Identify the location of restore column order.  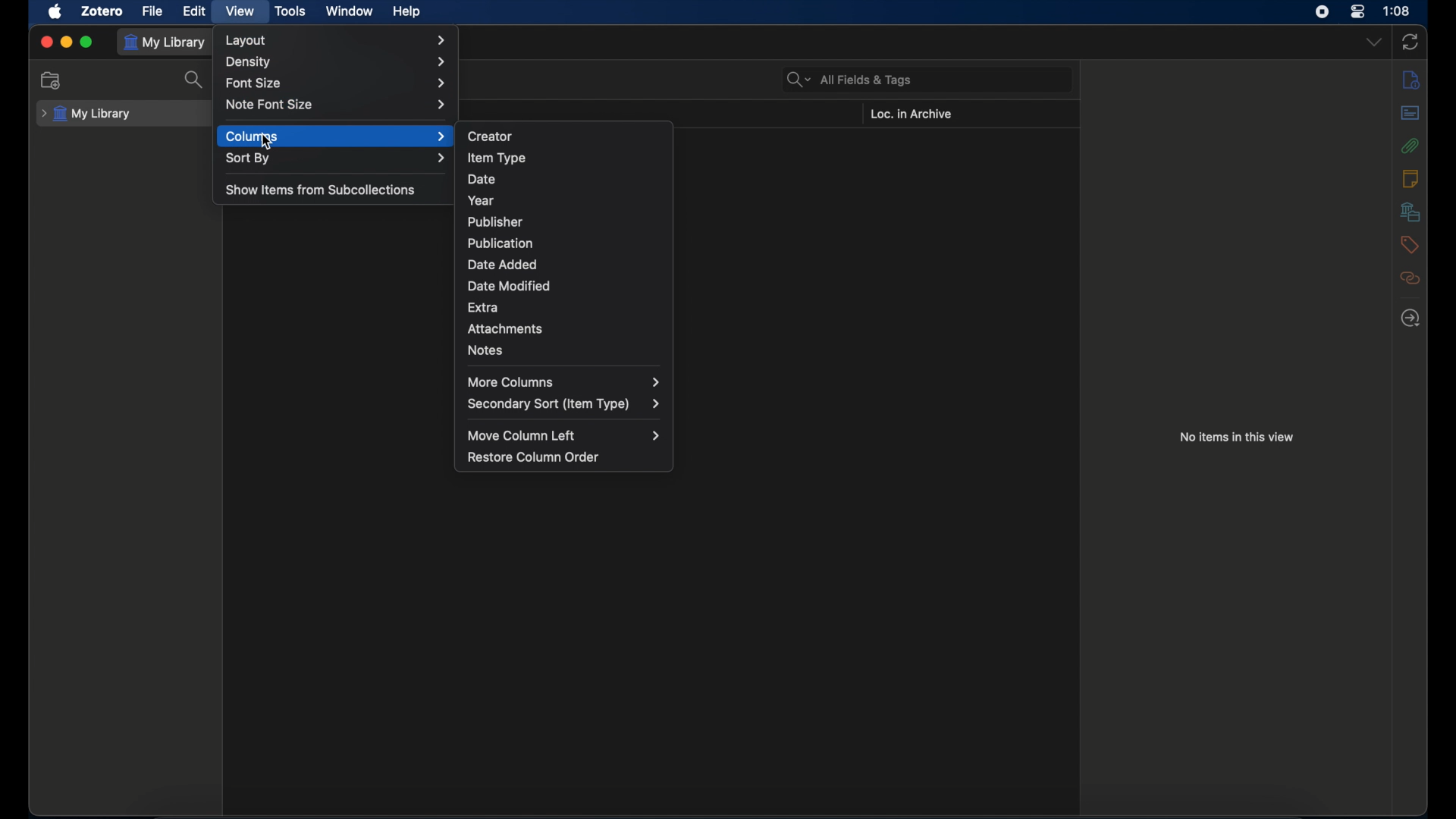
(534, 457).